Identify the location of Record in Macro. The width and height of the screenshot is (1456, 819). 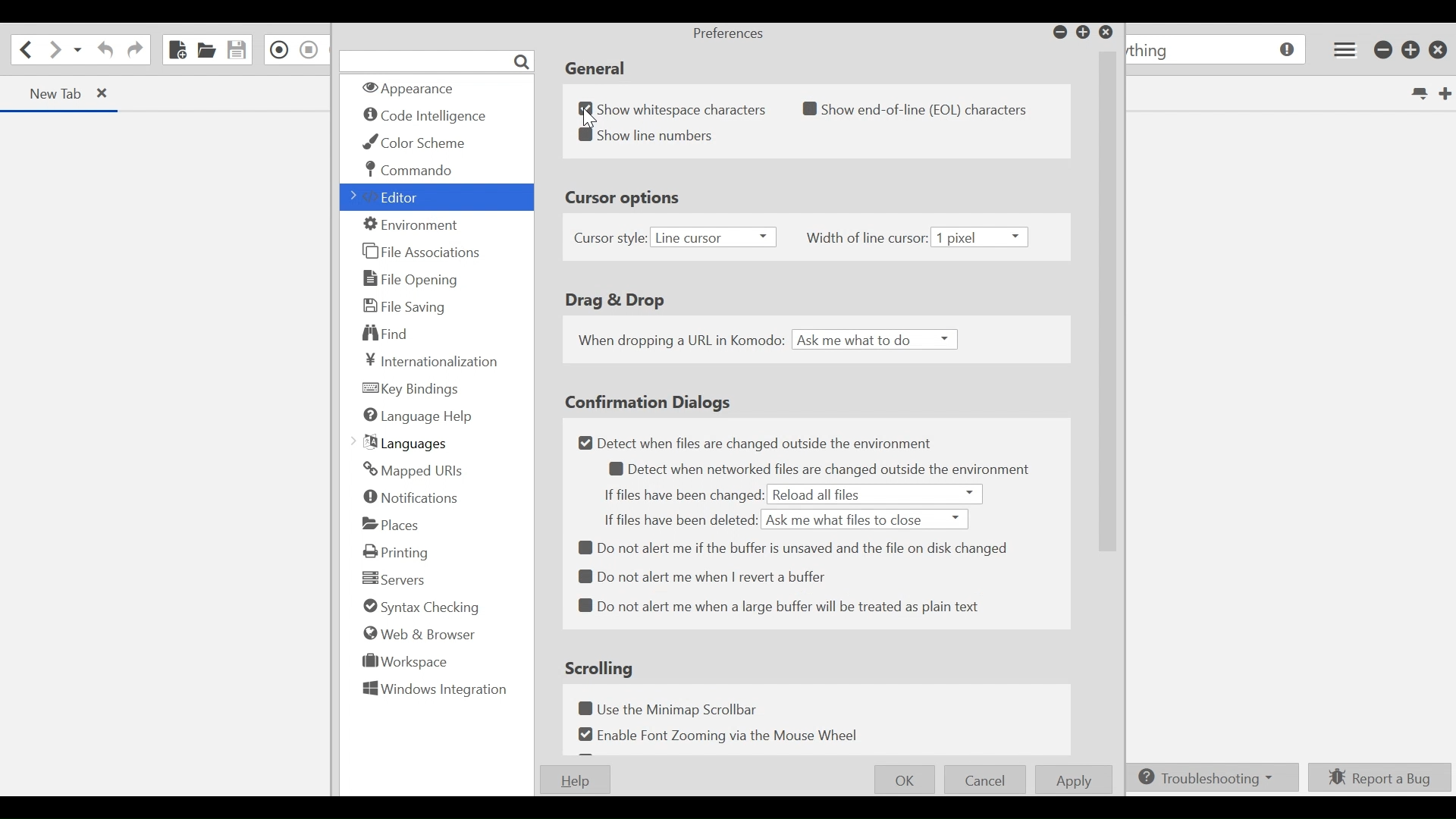
(277, 50).